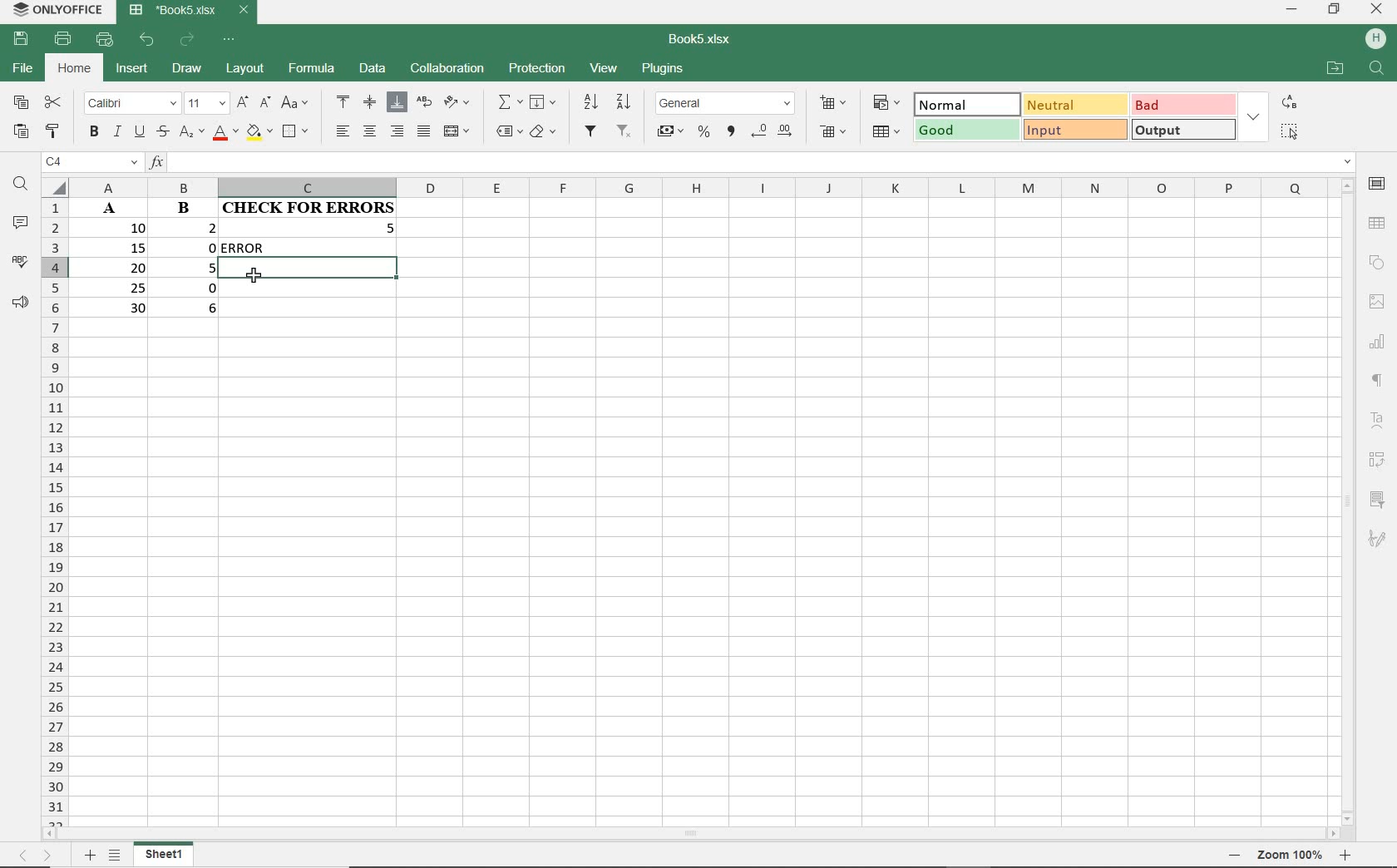  What do you see at coordinates (18, 41) in the screenshot?
I see `SAVE` at bounding box center [18, 41].